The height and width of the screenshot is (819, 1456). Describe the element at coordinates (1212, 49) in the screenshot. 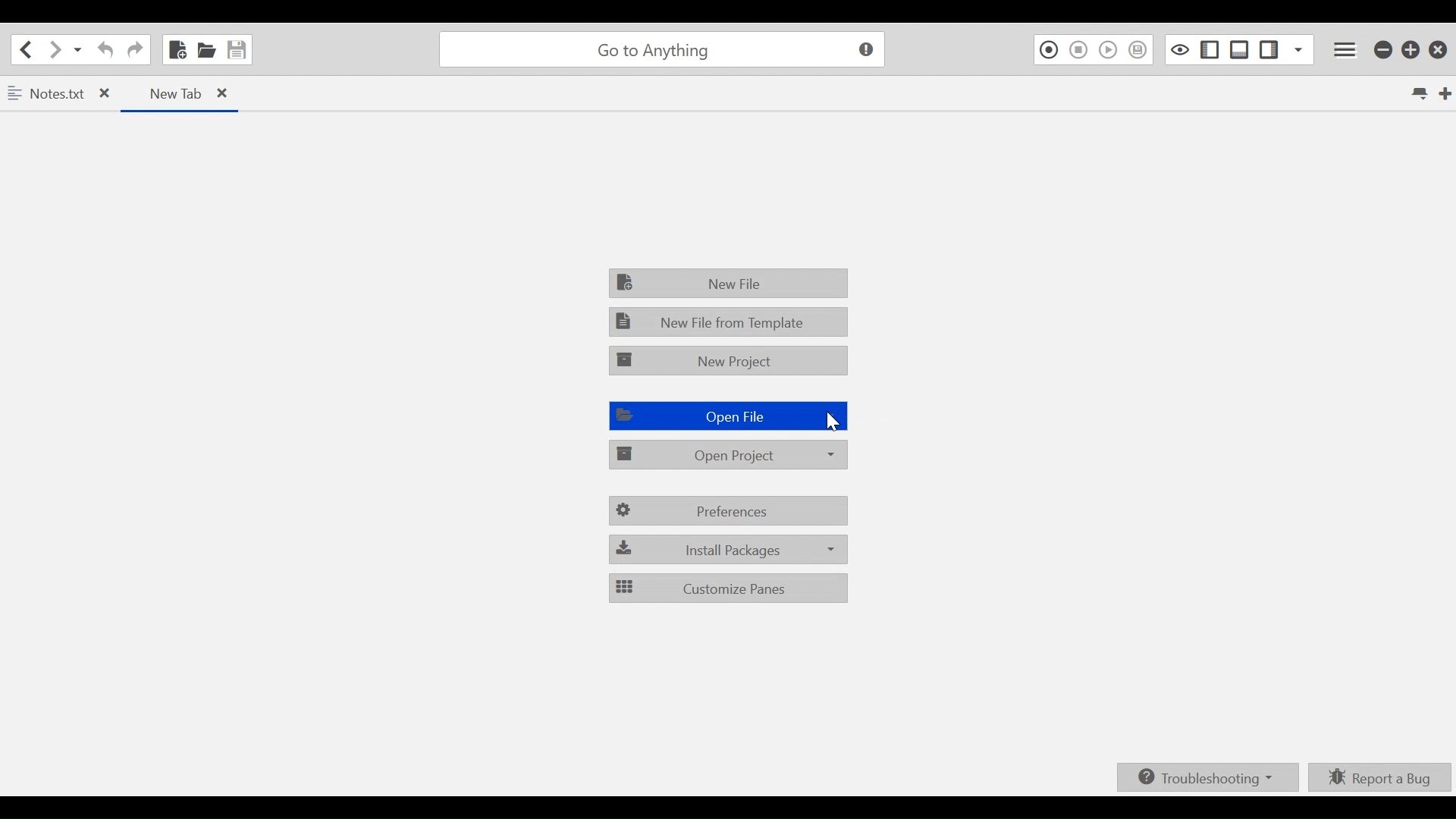

I see `Show/Hide Left Pane` at that location.